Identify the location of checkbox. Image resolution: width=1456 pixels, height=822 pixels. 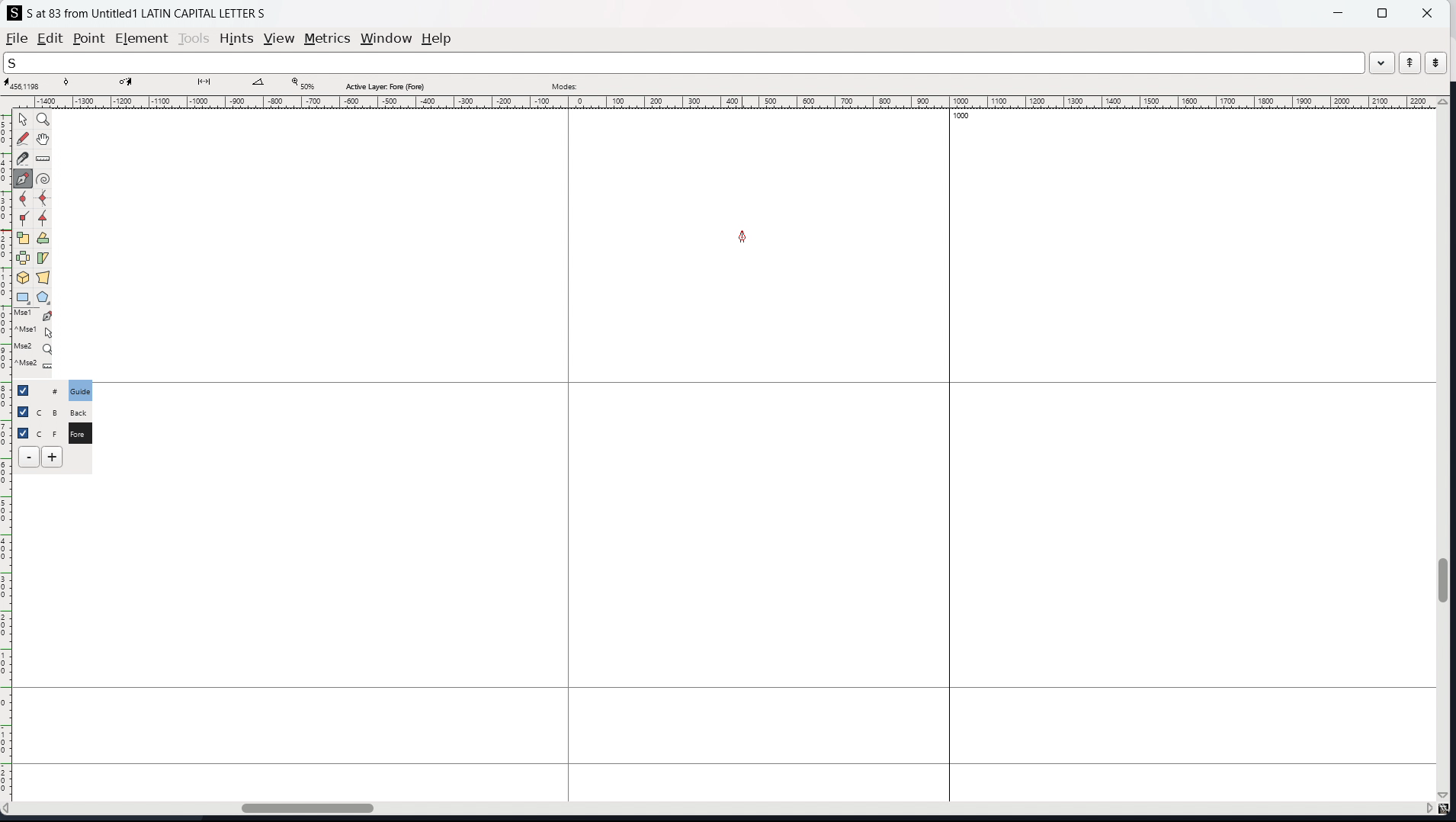
(22, 410).